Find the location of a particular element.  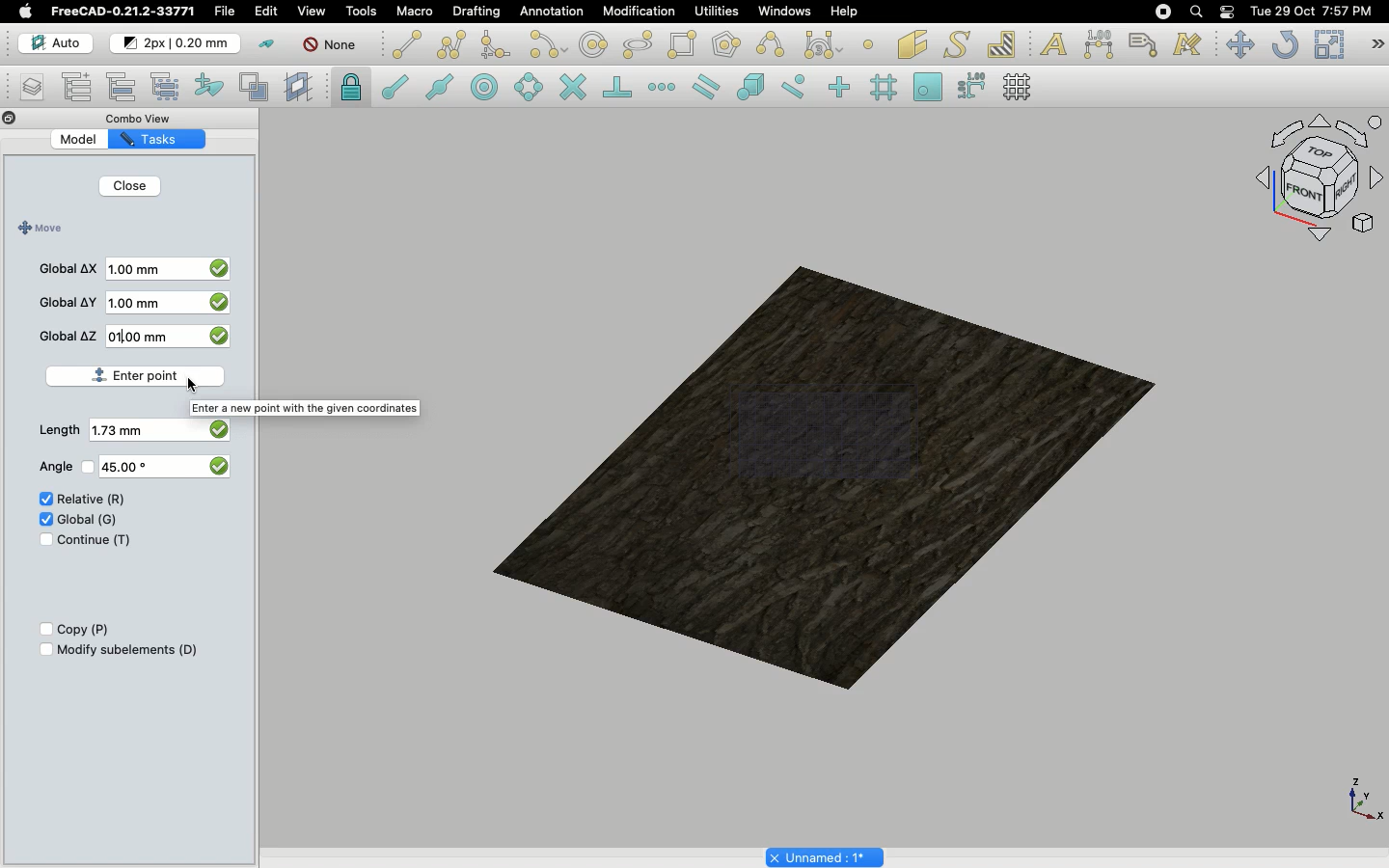

Move is located at coordinates (1239, 44).